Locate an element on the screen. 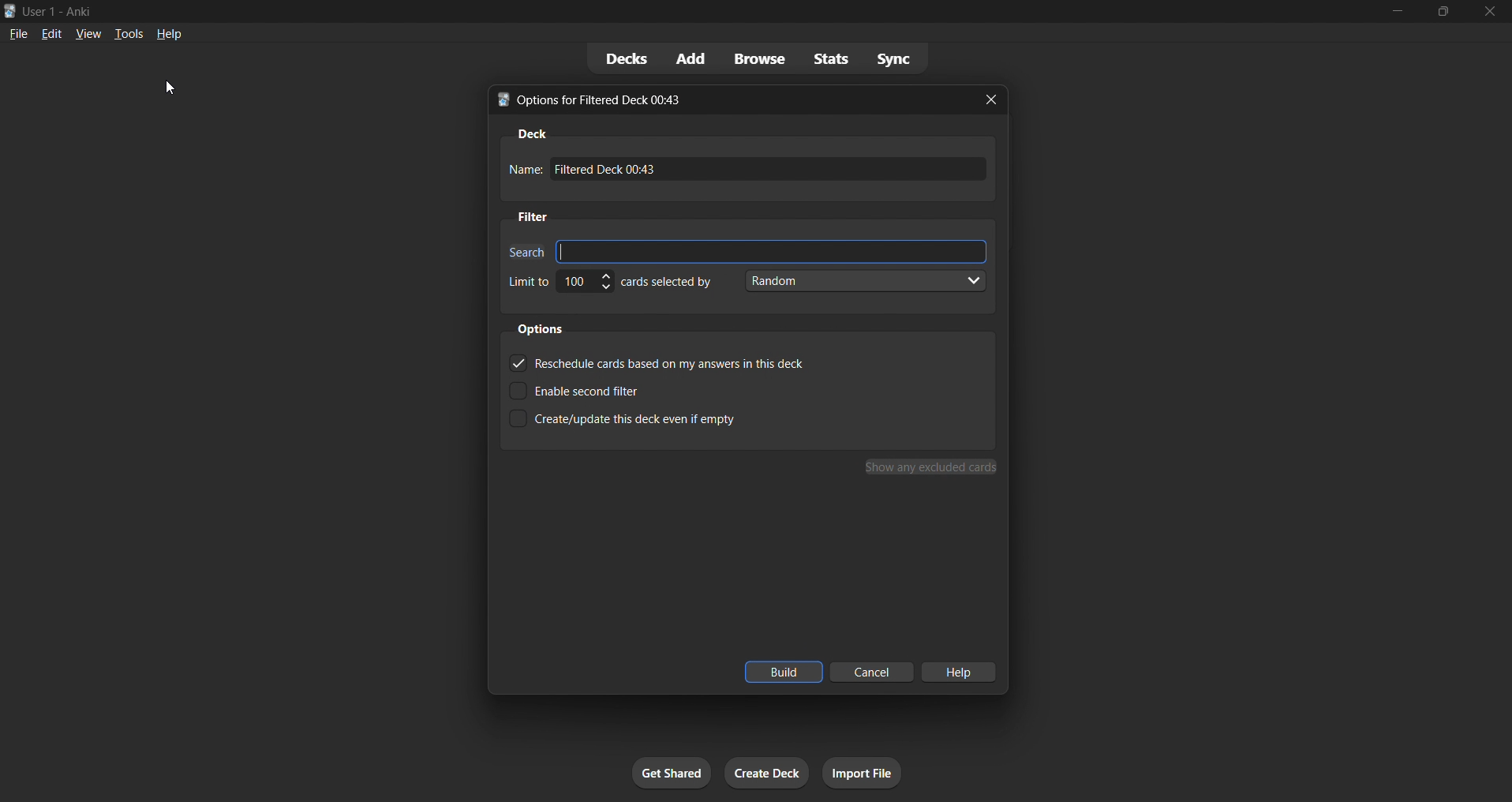 This screenshot has width=1512, height=802. Filter is located at coordinates (537, 216).